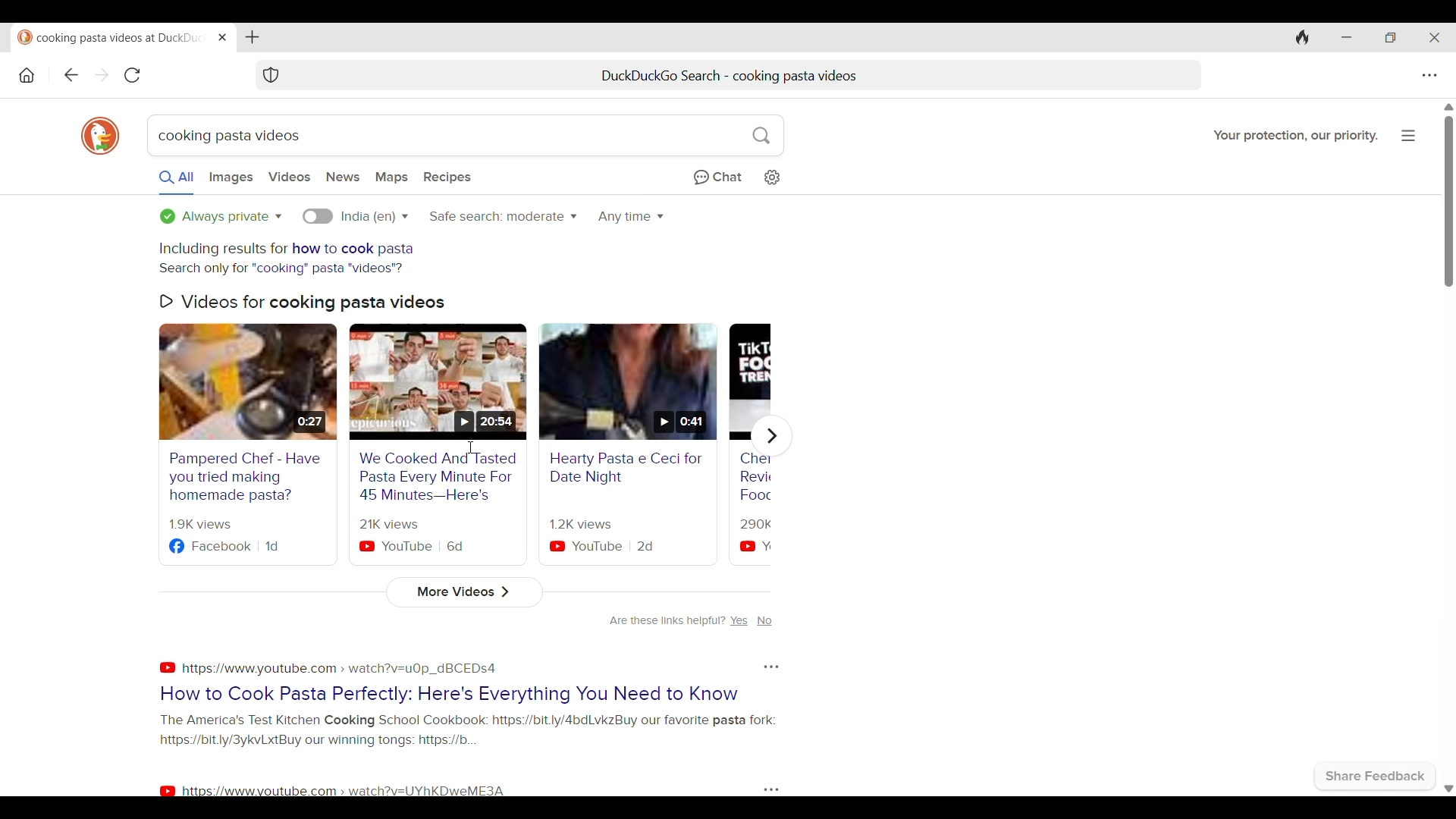  Describe the element at coordinates (466, 592) in the screenshot. I see `More videos` at that location.